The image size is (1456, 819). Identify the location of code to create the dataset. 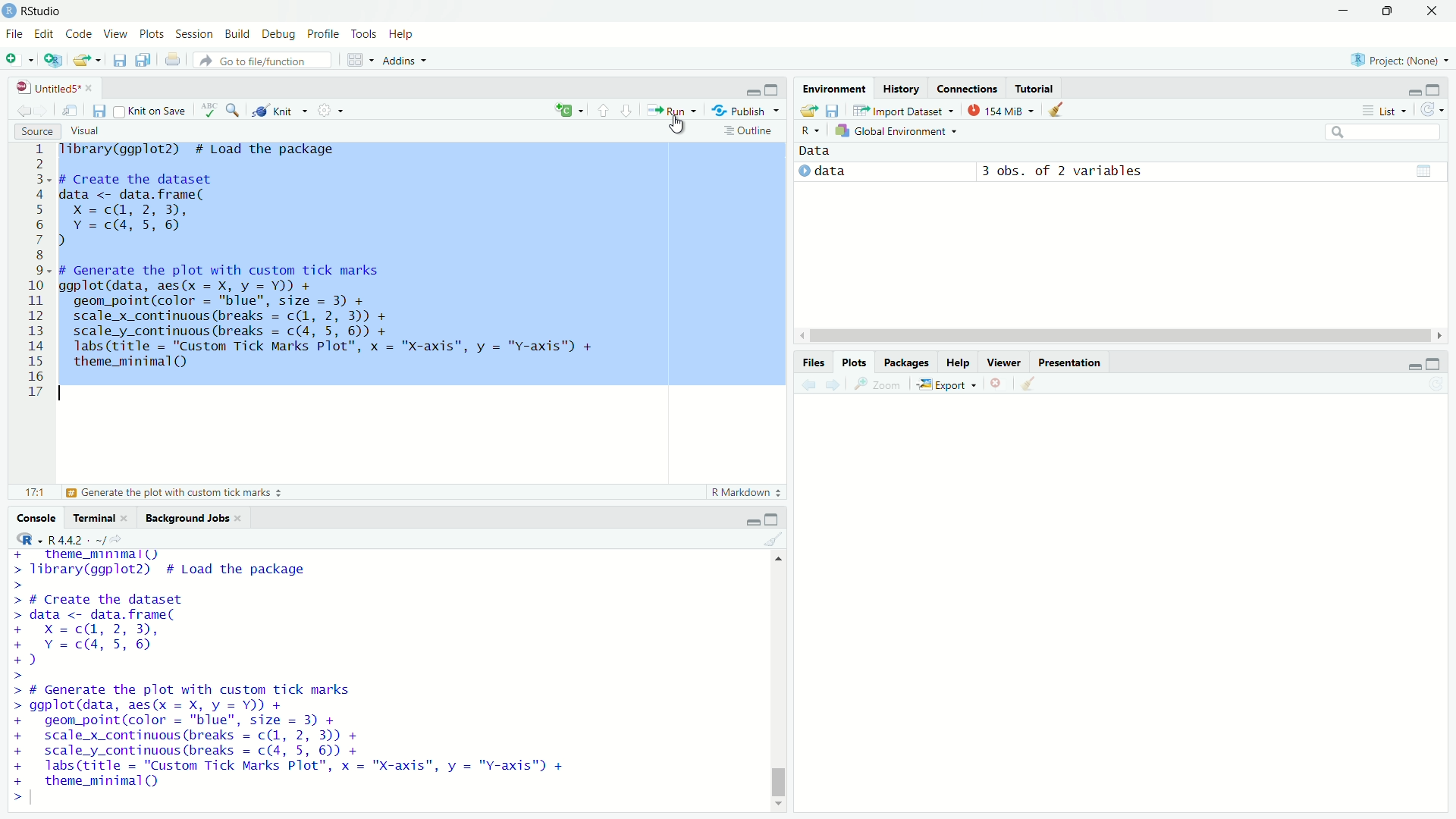
(190, 209).